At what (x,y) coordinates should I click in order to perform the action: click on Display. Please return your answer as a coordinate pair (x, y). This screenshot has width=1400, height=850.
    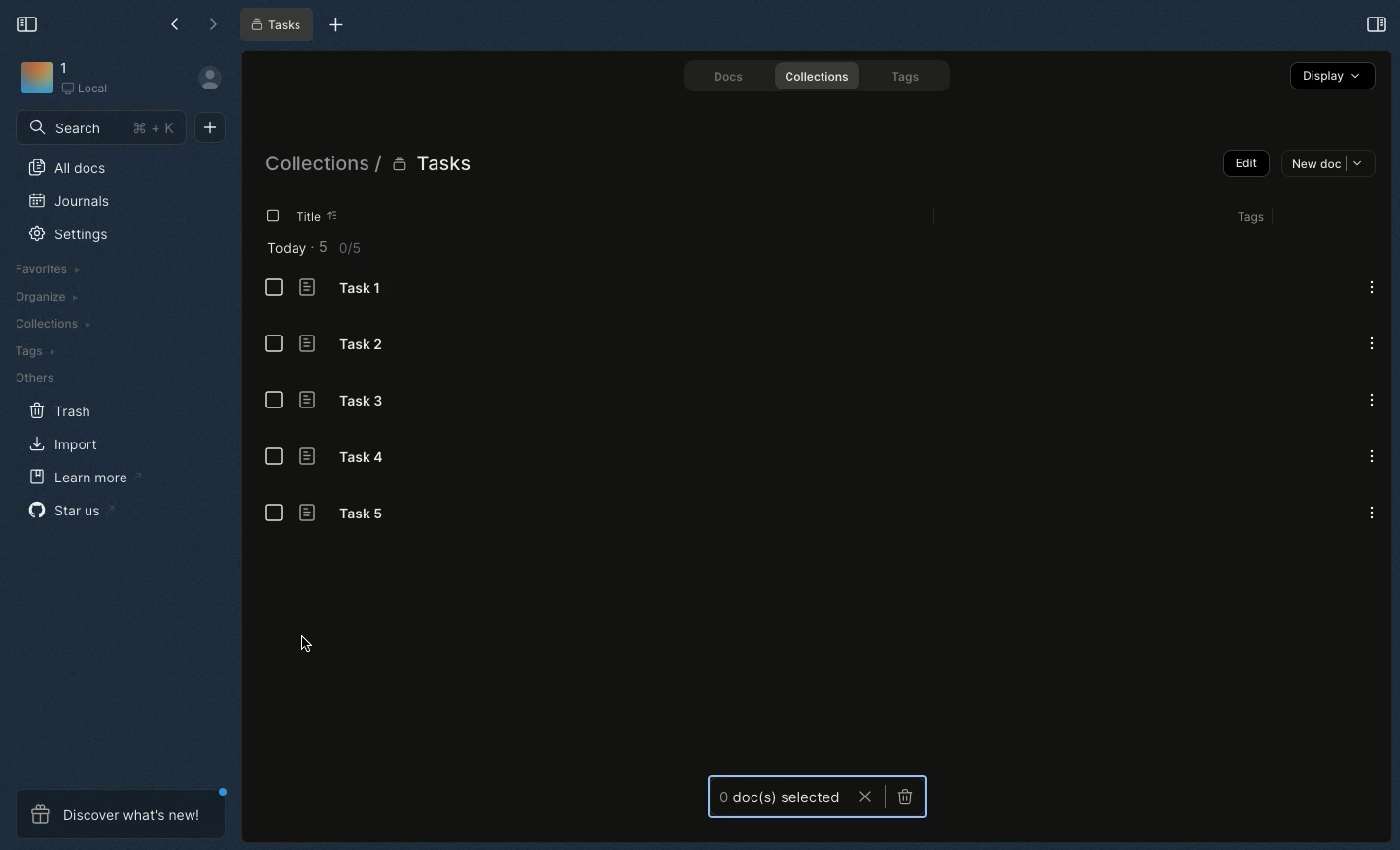
    Looking at the image, I should click on (1333, 76).